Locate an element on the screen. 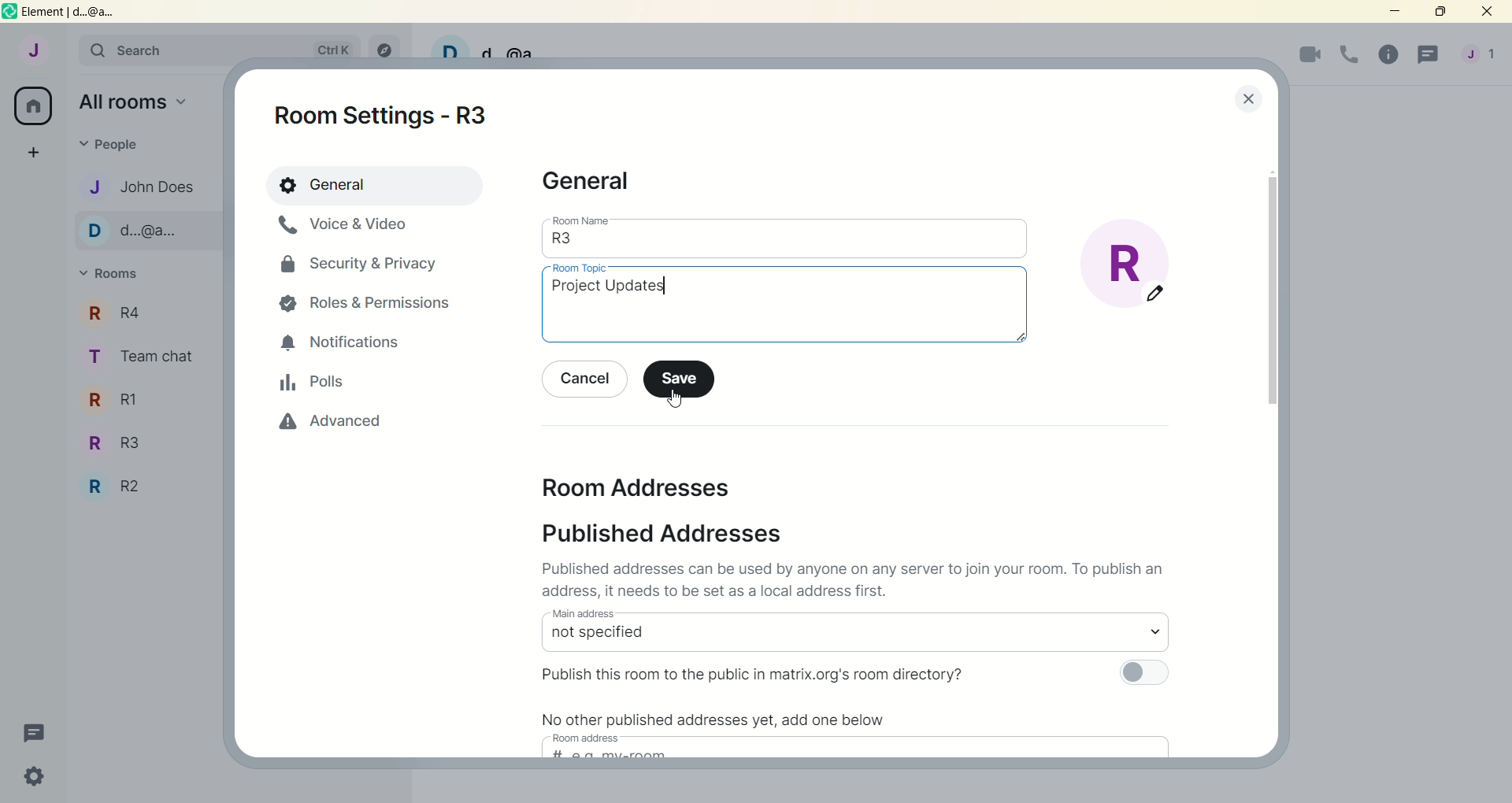 The image size is (1512, 803). room info is located at coordinates (1387, 54).